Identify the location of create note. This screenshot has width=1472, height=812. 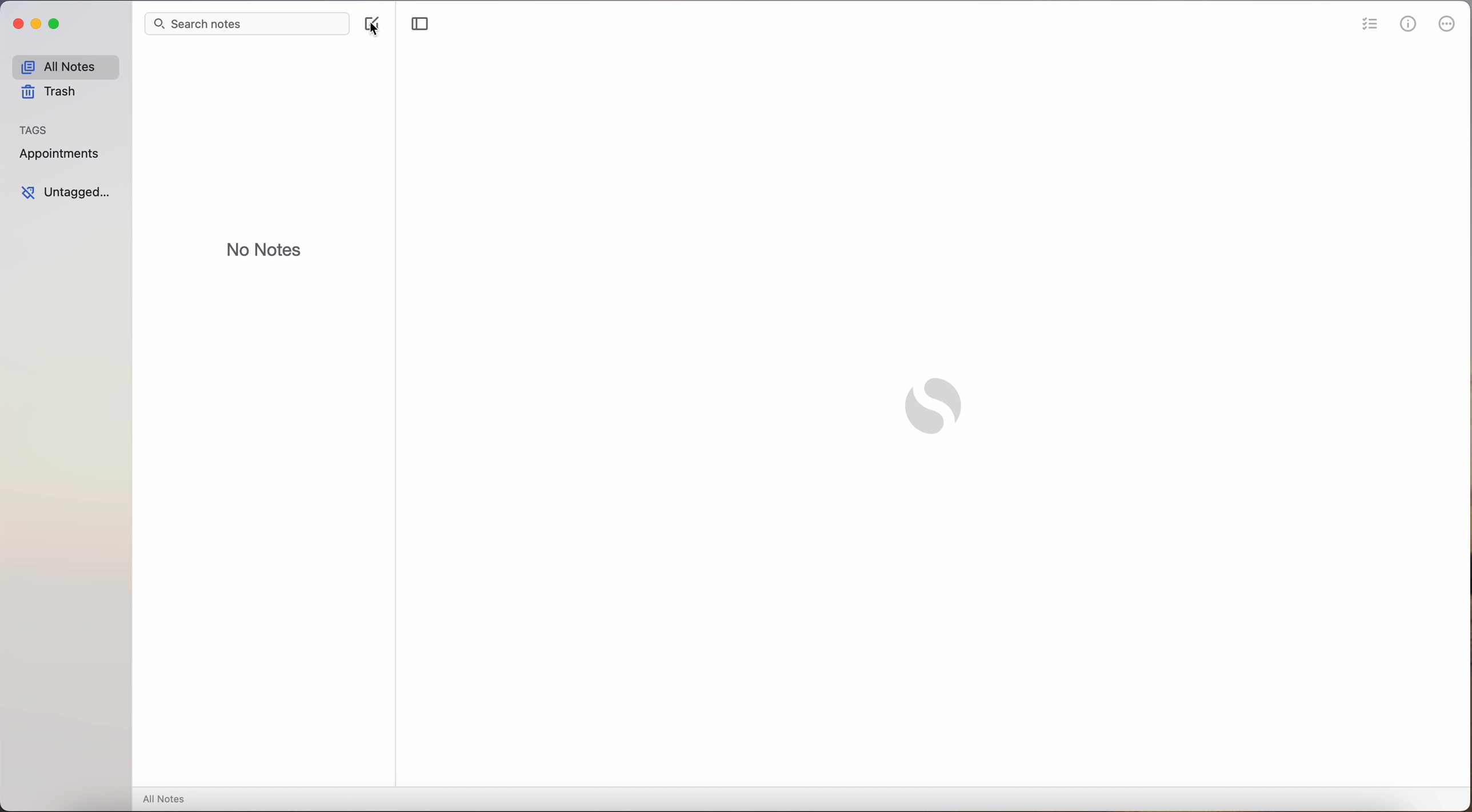
(370, 18).